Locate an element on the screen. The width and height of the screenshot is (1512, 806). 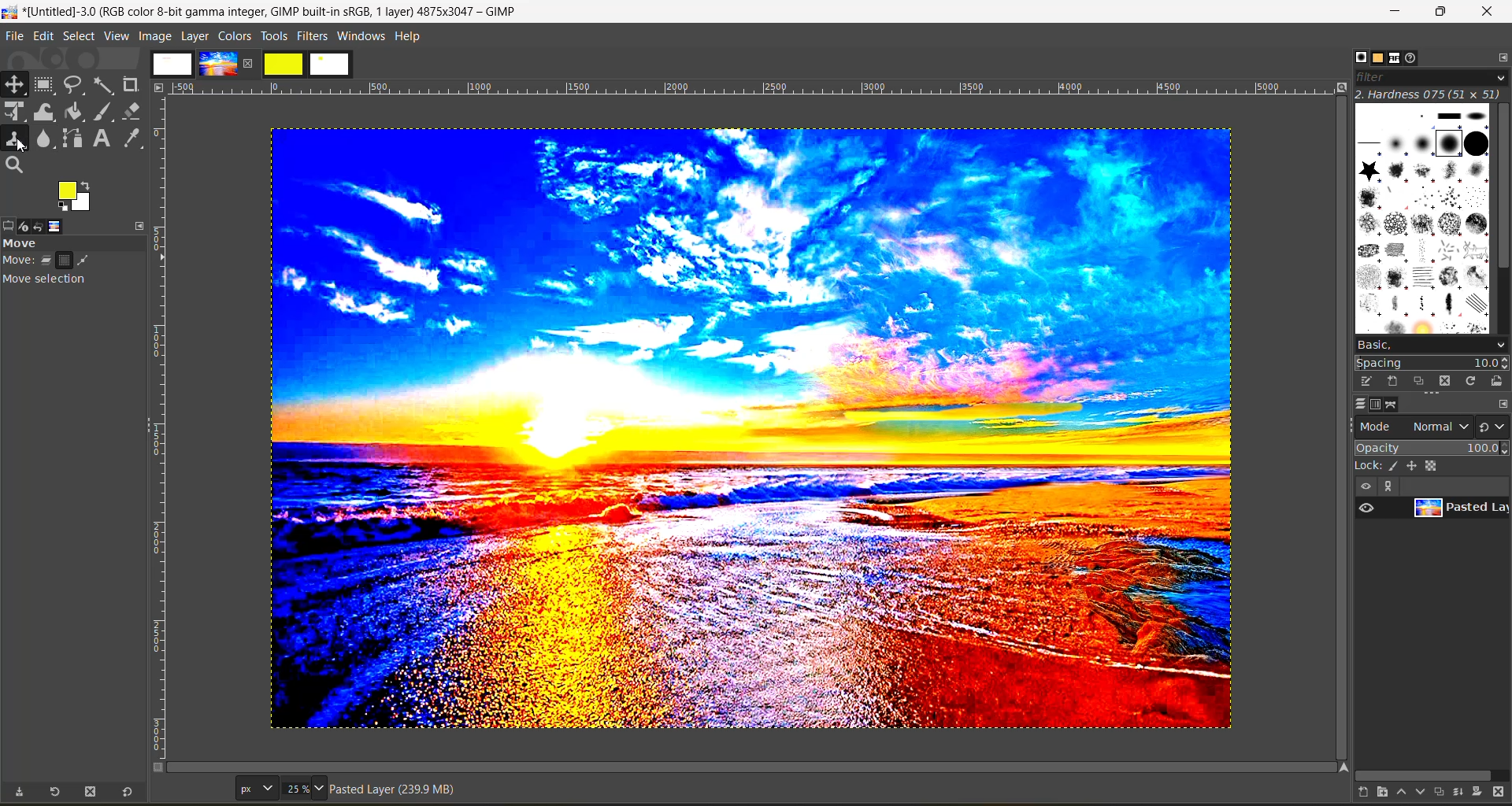
help is located at coordinates (412, 35).